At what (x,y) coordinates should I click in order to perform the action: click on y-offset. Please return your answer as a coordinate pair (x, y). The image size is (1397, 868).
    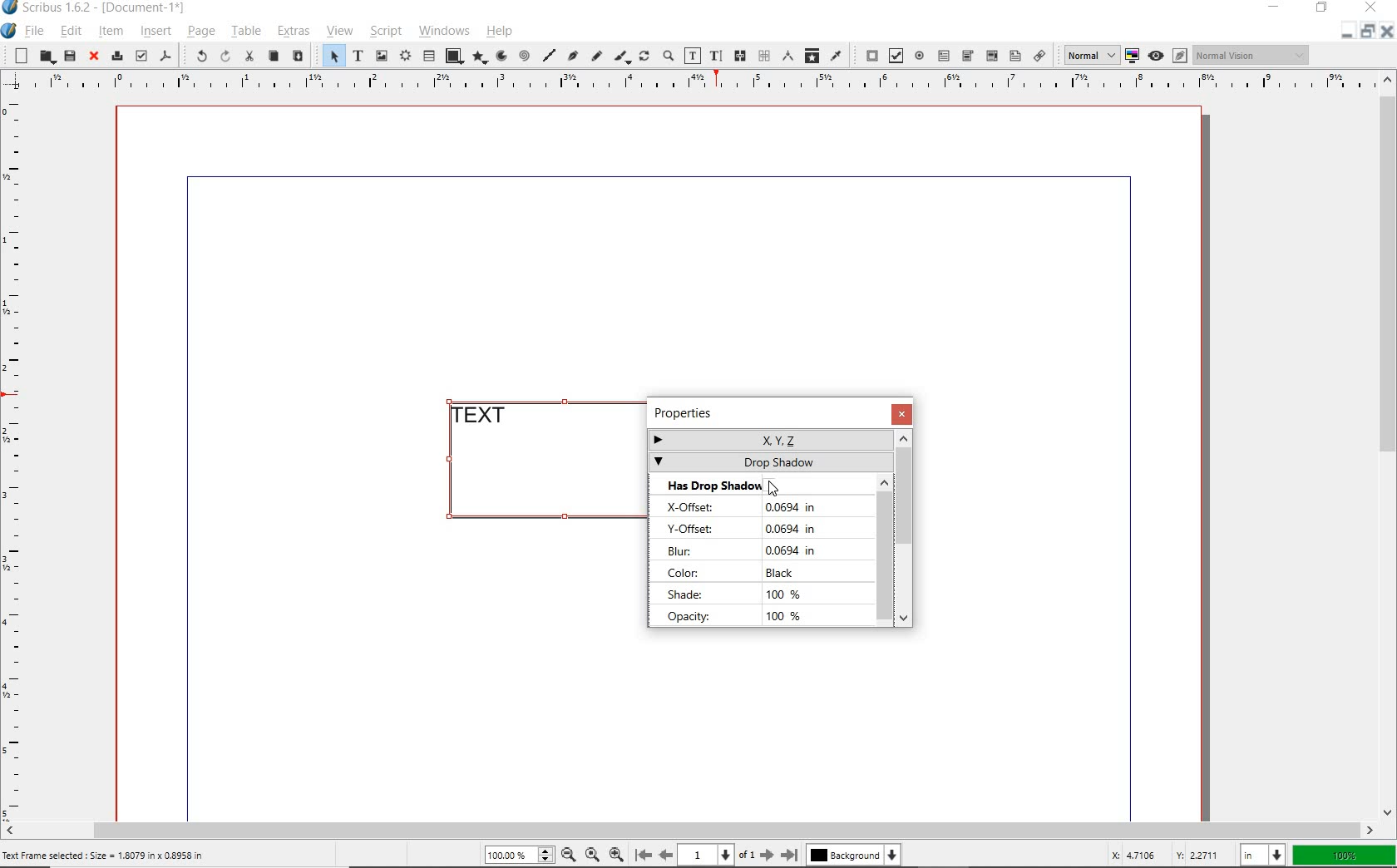
    Looking at the image, I should click on (748, 530).